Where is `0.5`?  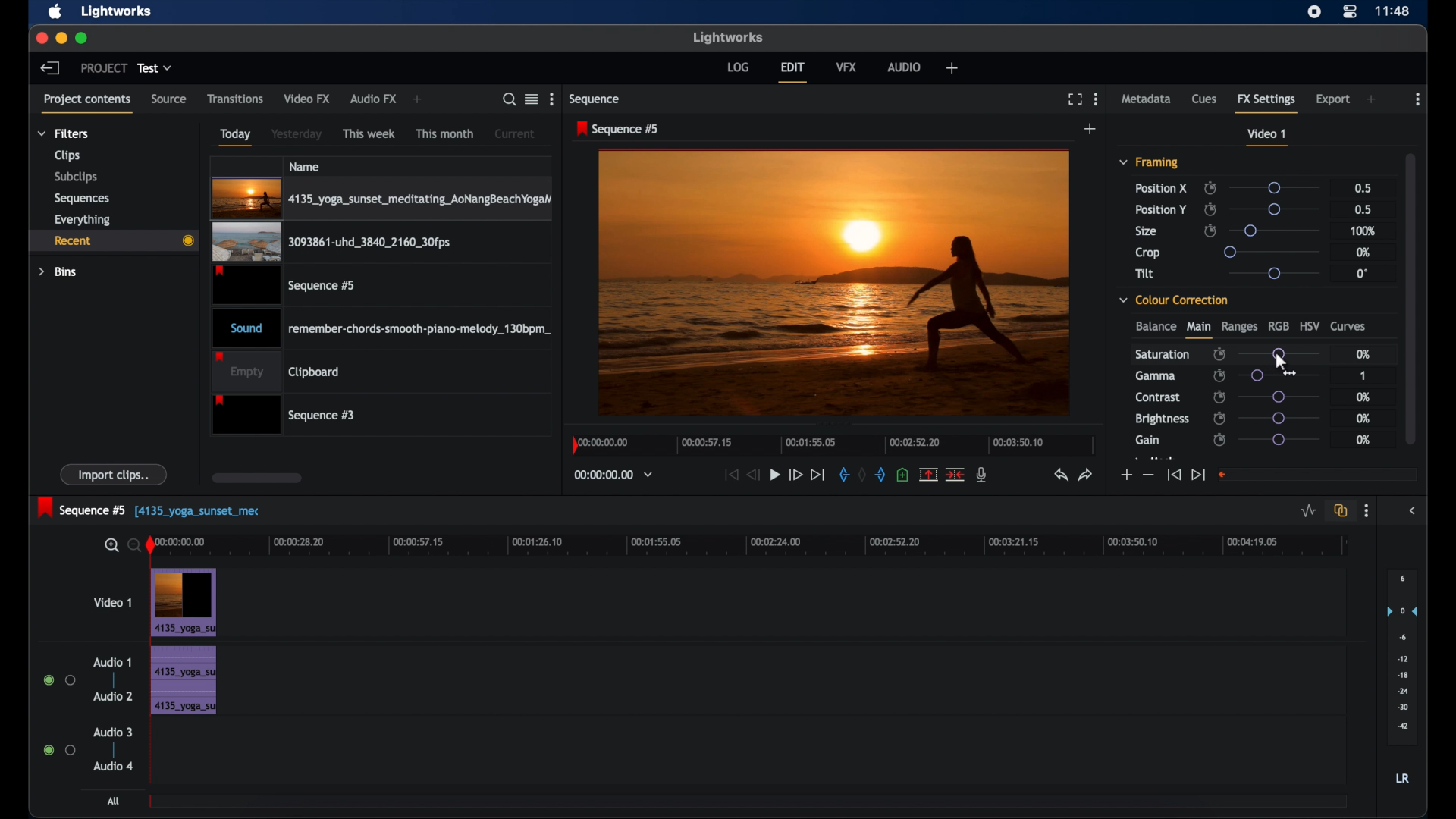
0.5 is located at coordinates (1362, 209).